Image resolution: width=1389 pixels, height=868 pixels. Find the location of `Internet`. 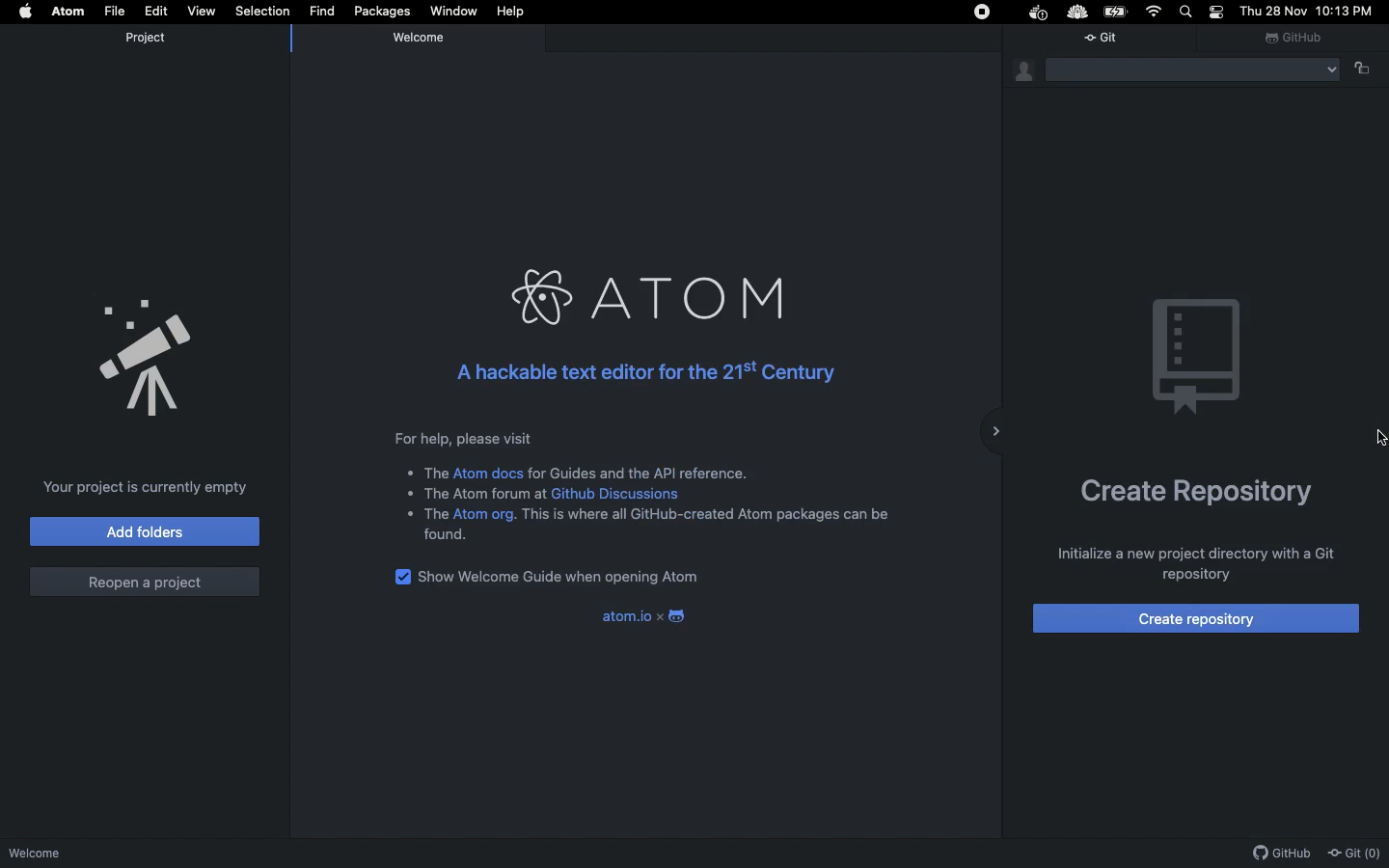

Internet is located at coordinates (1156, 12).